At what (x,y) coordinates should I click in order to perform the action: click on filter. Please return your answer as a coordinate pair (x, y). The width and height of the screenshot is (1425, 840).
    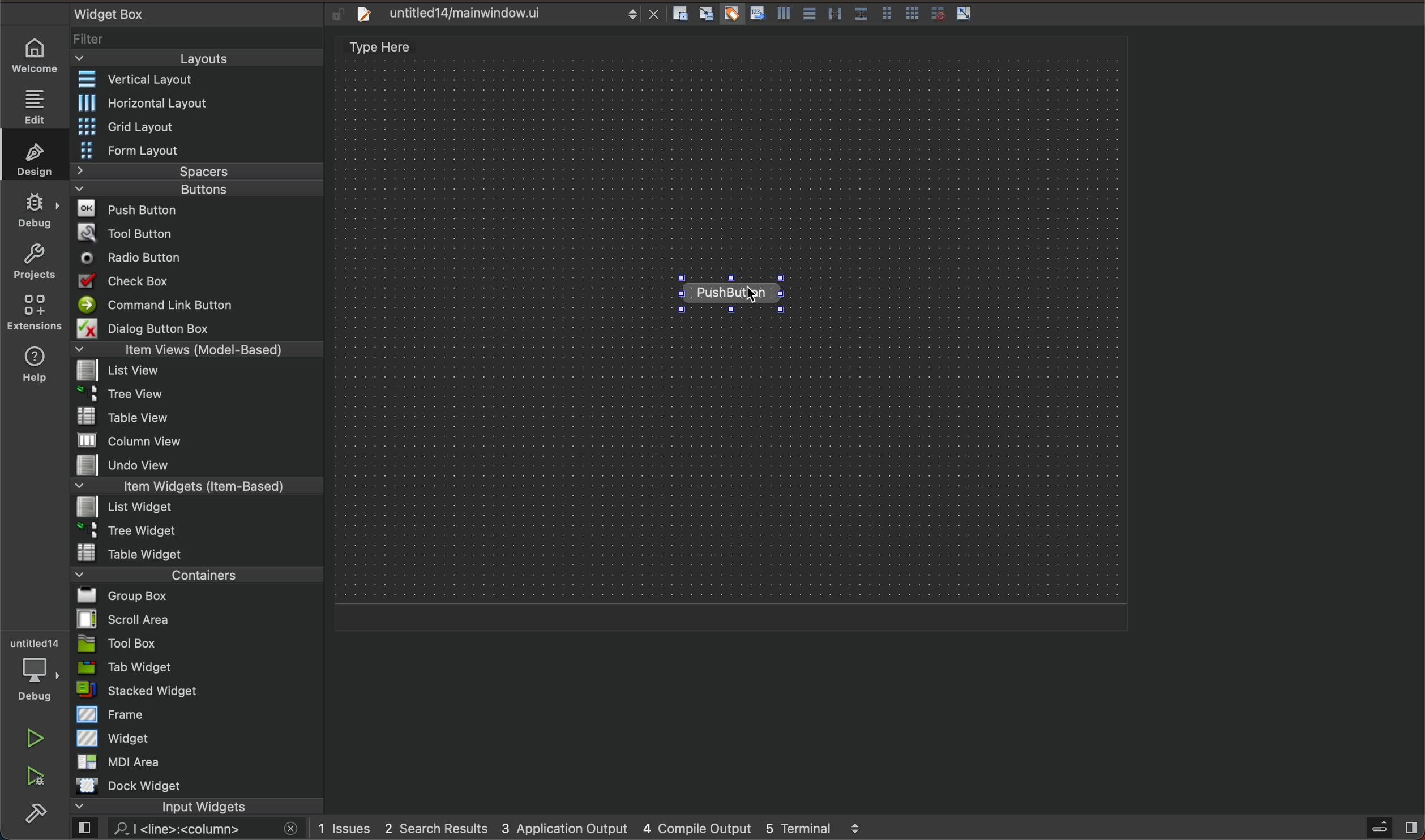
    Looking at the image, I should click on (200, 36).